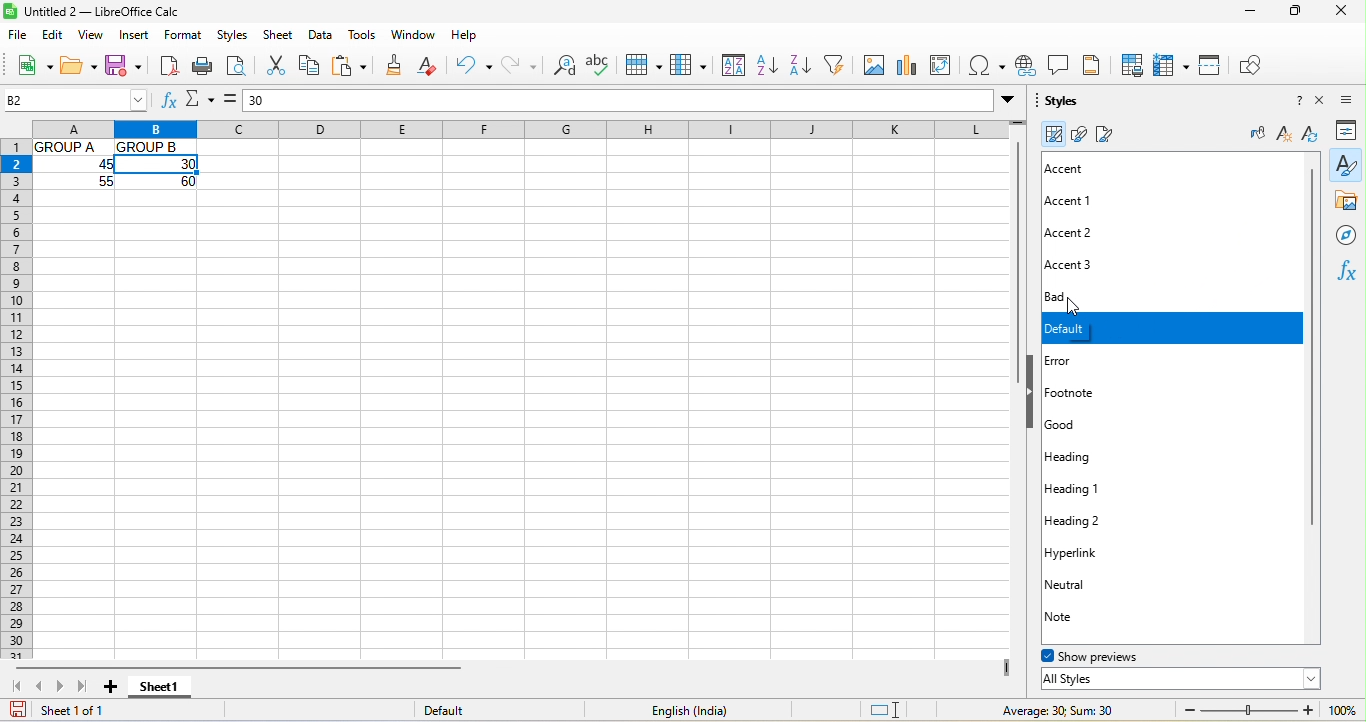 This screenshot has width=1366, height=722. What do you see at coordinates (1180, 680) in the screenshot?
I see `all styles` at bounding box center [1180, 680].